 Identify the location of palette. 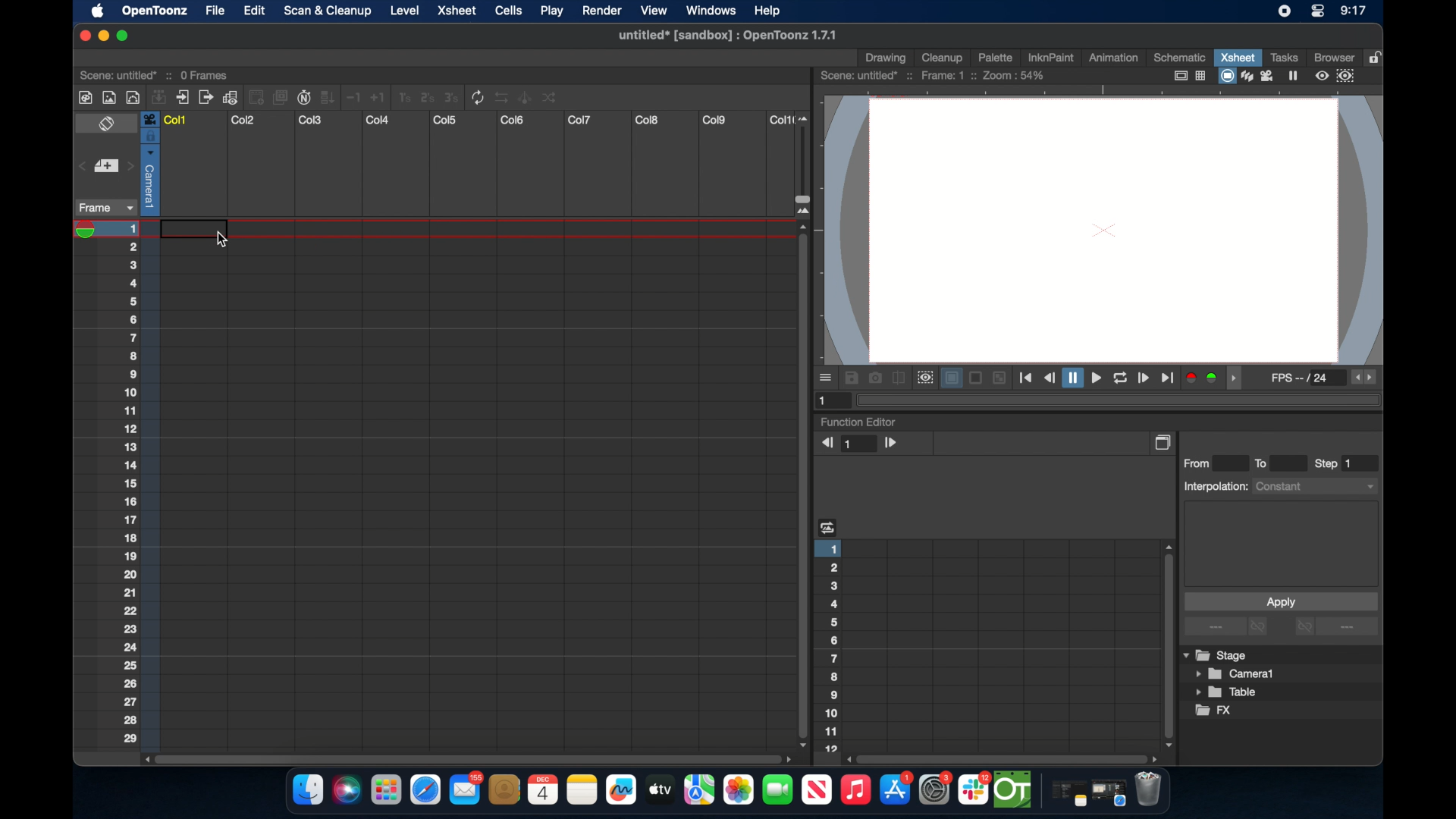
(996, 57).